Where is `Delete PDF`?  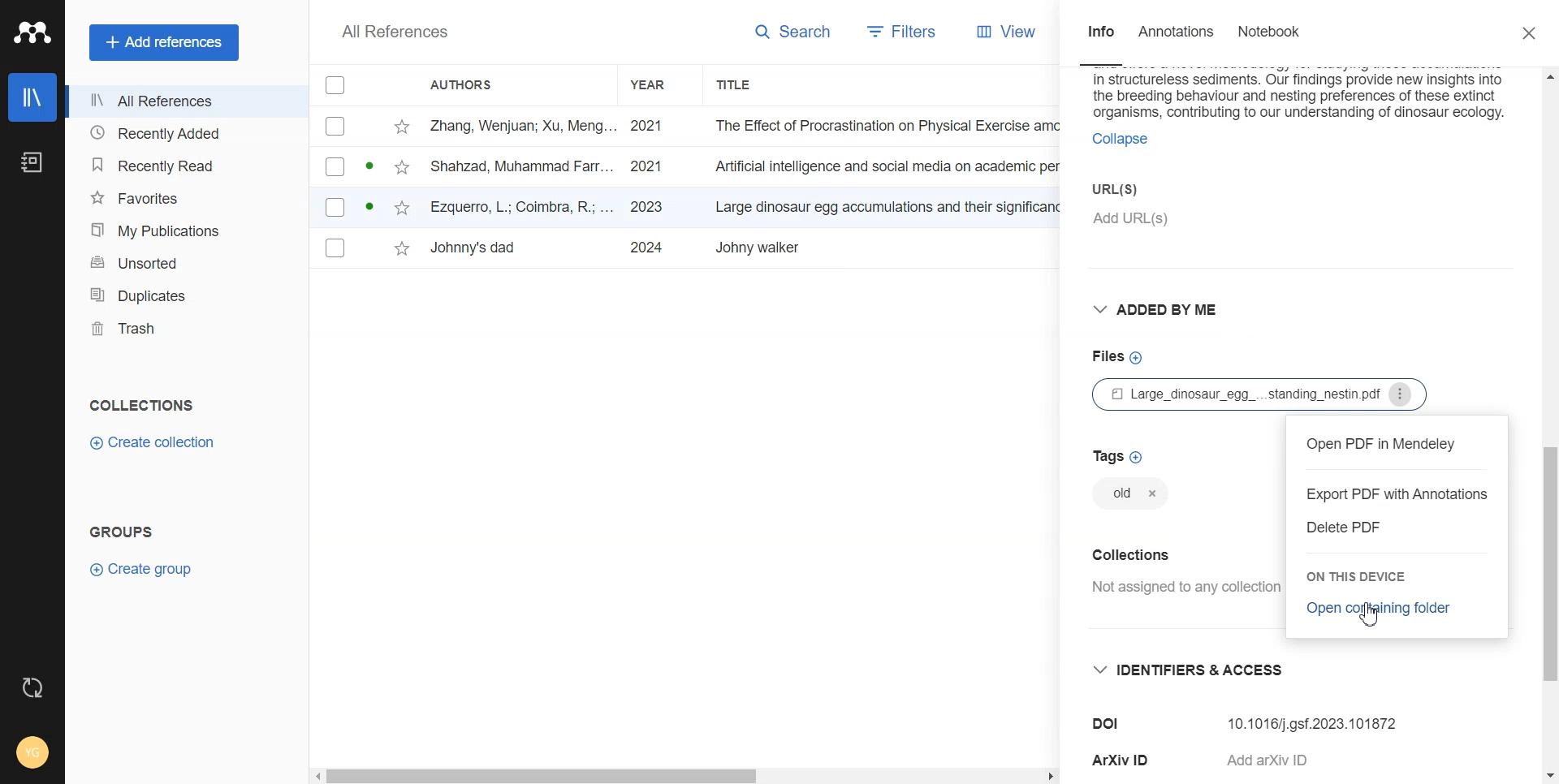 Delete PDF is located at coordinates (1349, 527).